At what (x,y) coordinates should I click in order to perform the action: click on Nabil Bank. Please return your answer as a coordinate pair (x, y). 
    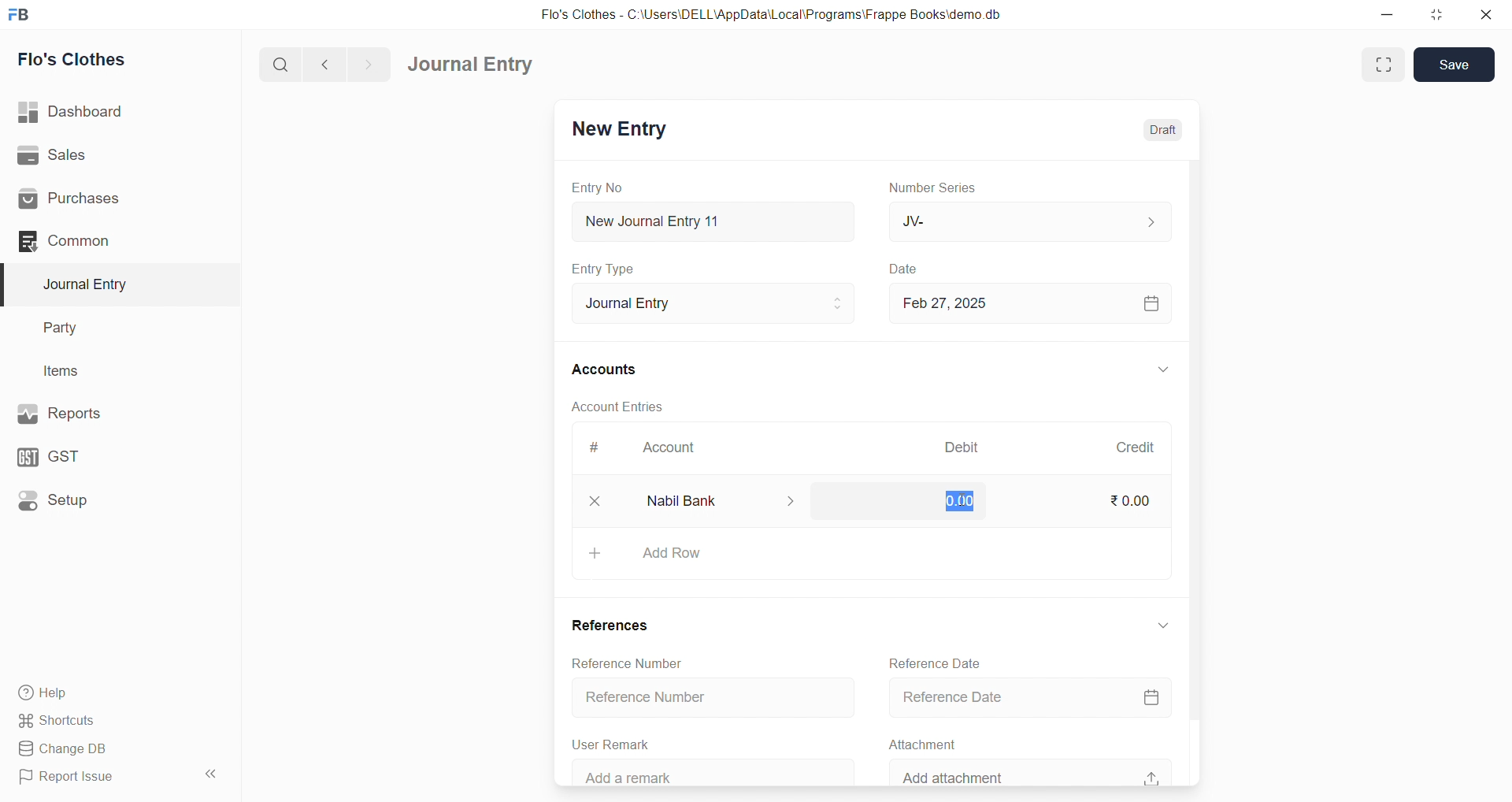
    Looking at the image, I should click on (721, 503).